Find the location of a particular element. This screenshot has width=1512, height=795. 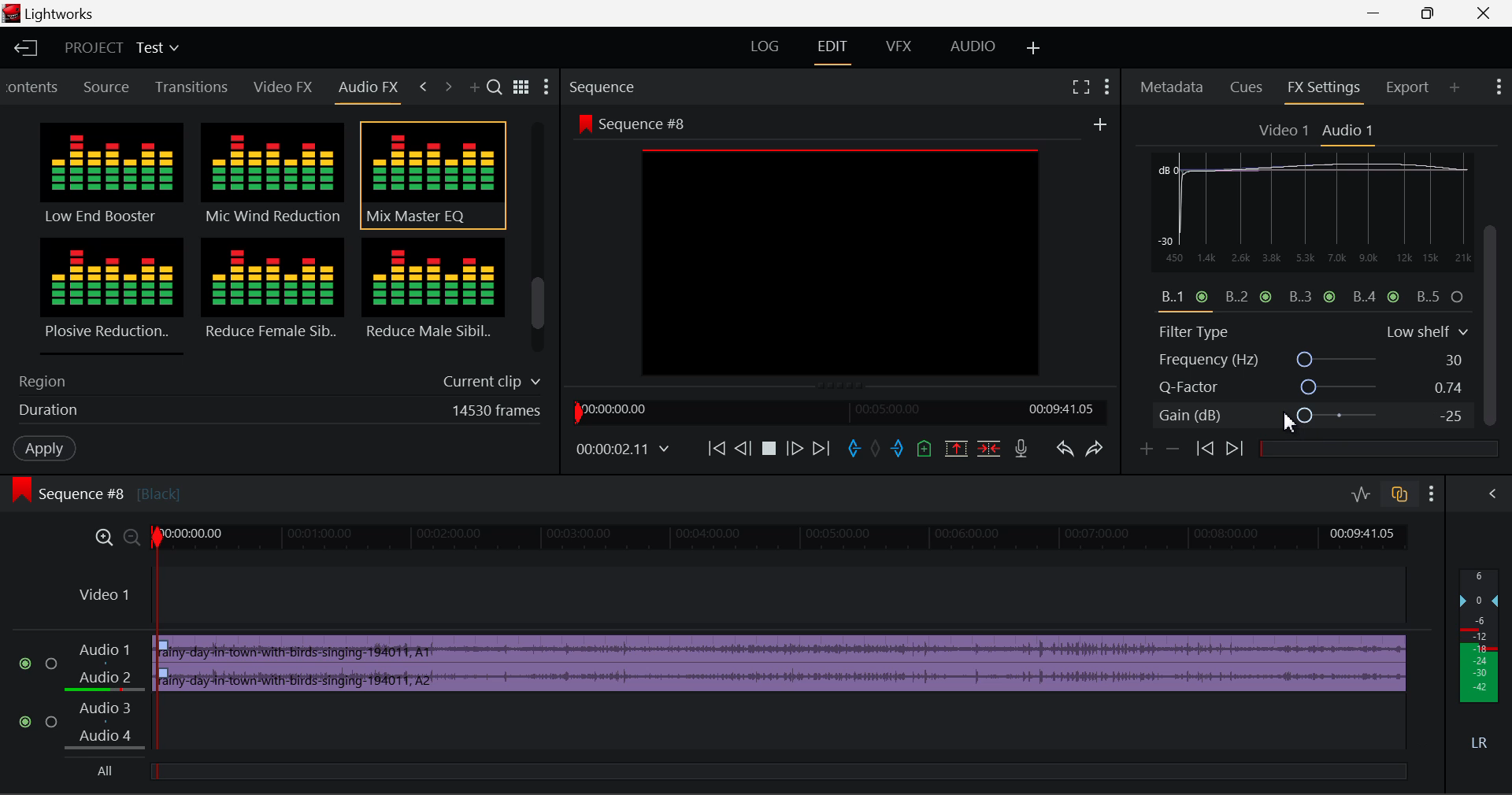

Go Back is located at coordinates (743, 449).